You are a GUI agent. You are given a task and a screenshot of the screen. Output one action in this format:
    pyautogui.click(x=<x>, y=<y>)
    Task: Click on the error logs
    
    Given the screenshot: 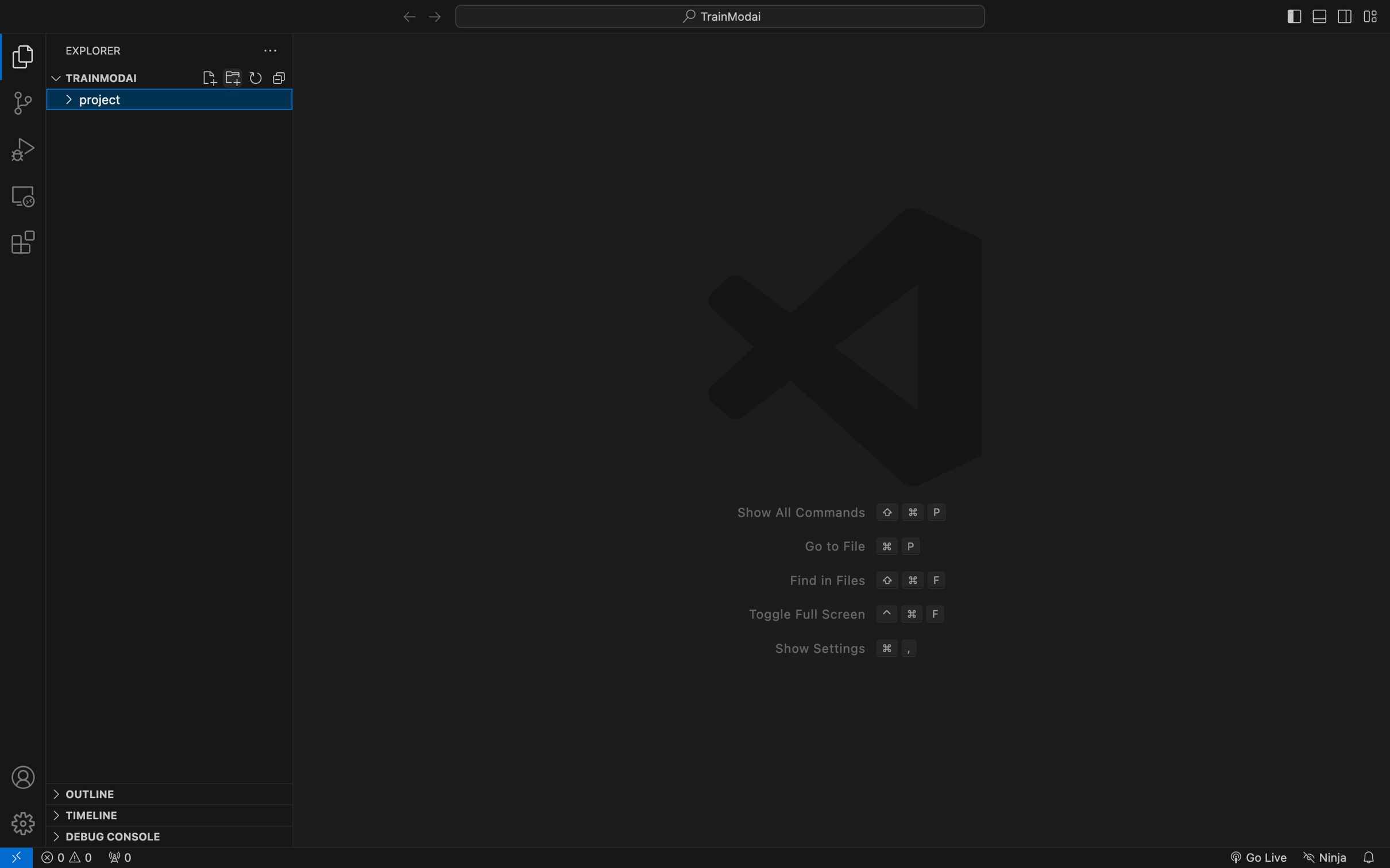 What is the action you would take?
    pyautogui.click(x=17, y=857)
    